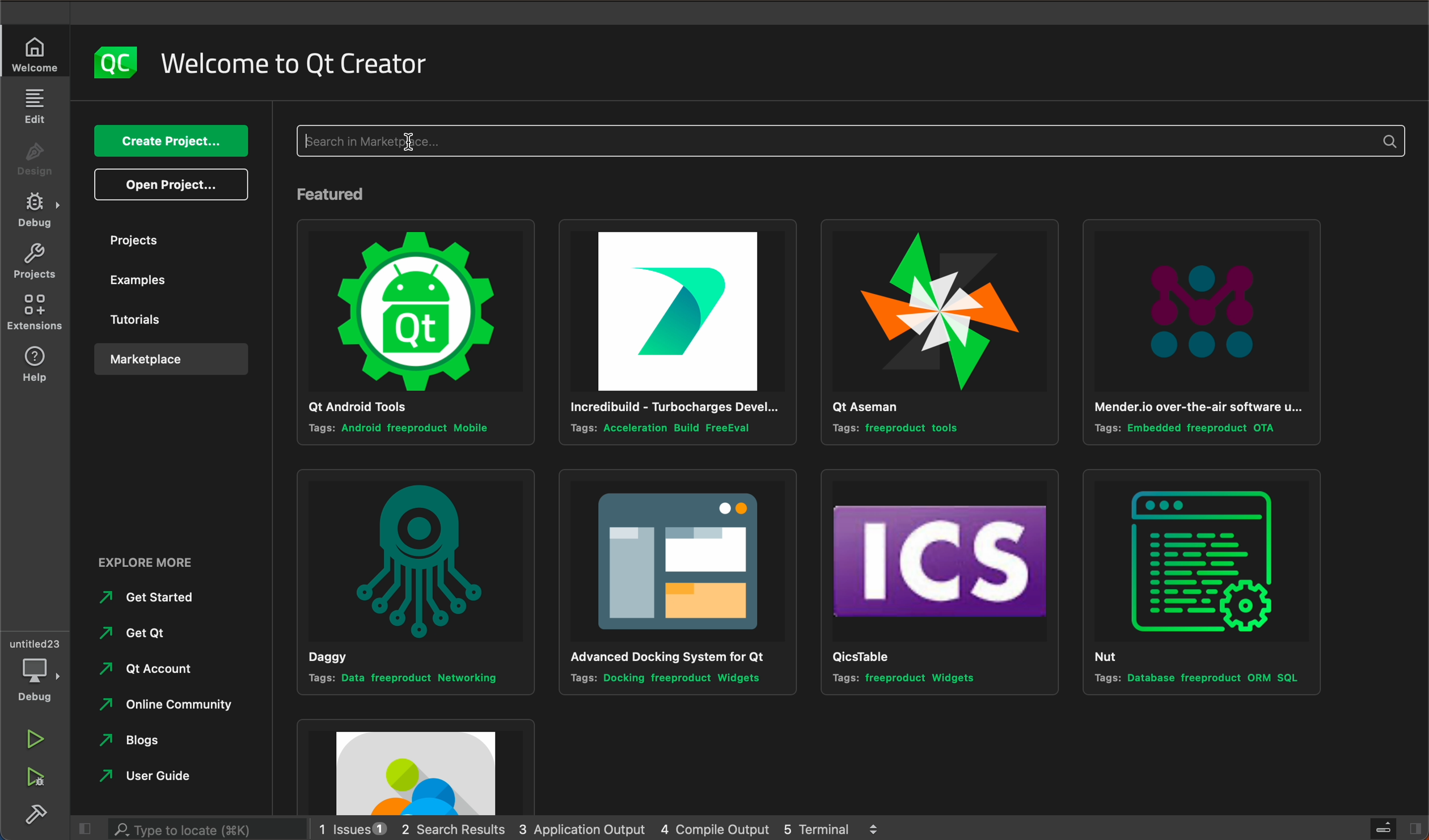  Describe the element at coordinates (615, 830) in the screenshot. I see `logs` at that location.